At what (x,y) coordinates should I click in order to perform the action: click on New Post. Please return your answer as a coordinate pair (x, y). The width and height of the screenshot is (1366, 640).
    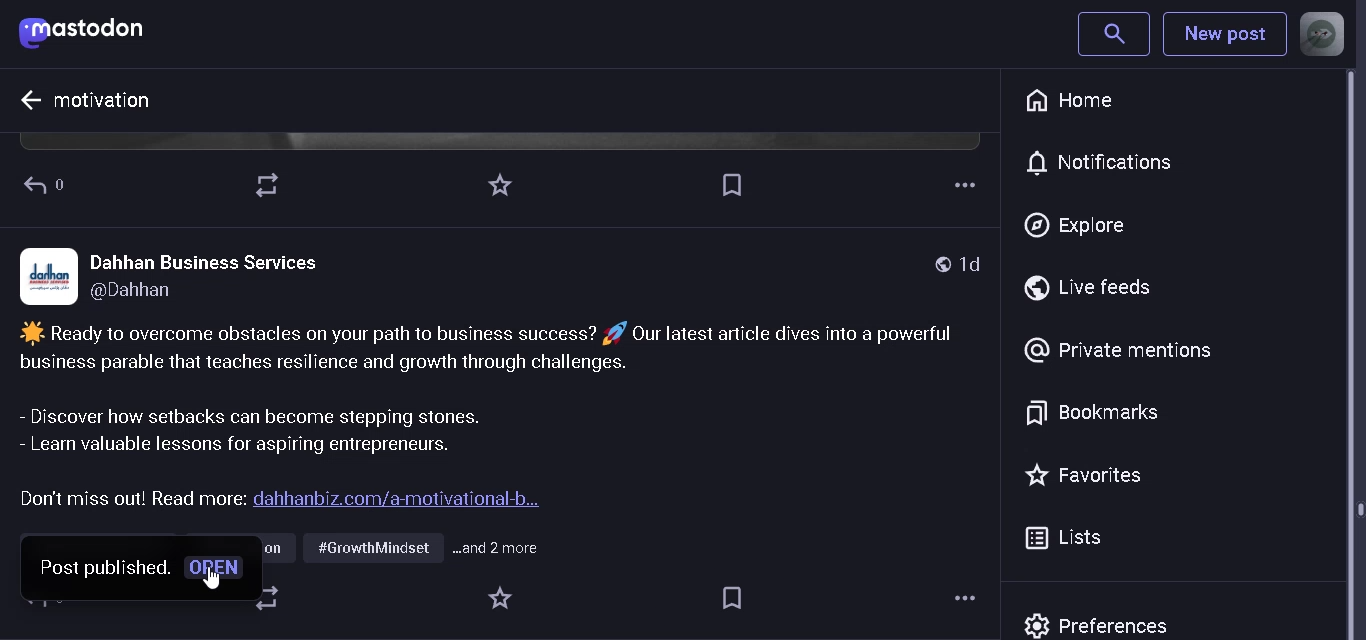
    Looking at the image, I should click on (1223, 37).